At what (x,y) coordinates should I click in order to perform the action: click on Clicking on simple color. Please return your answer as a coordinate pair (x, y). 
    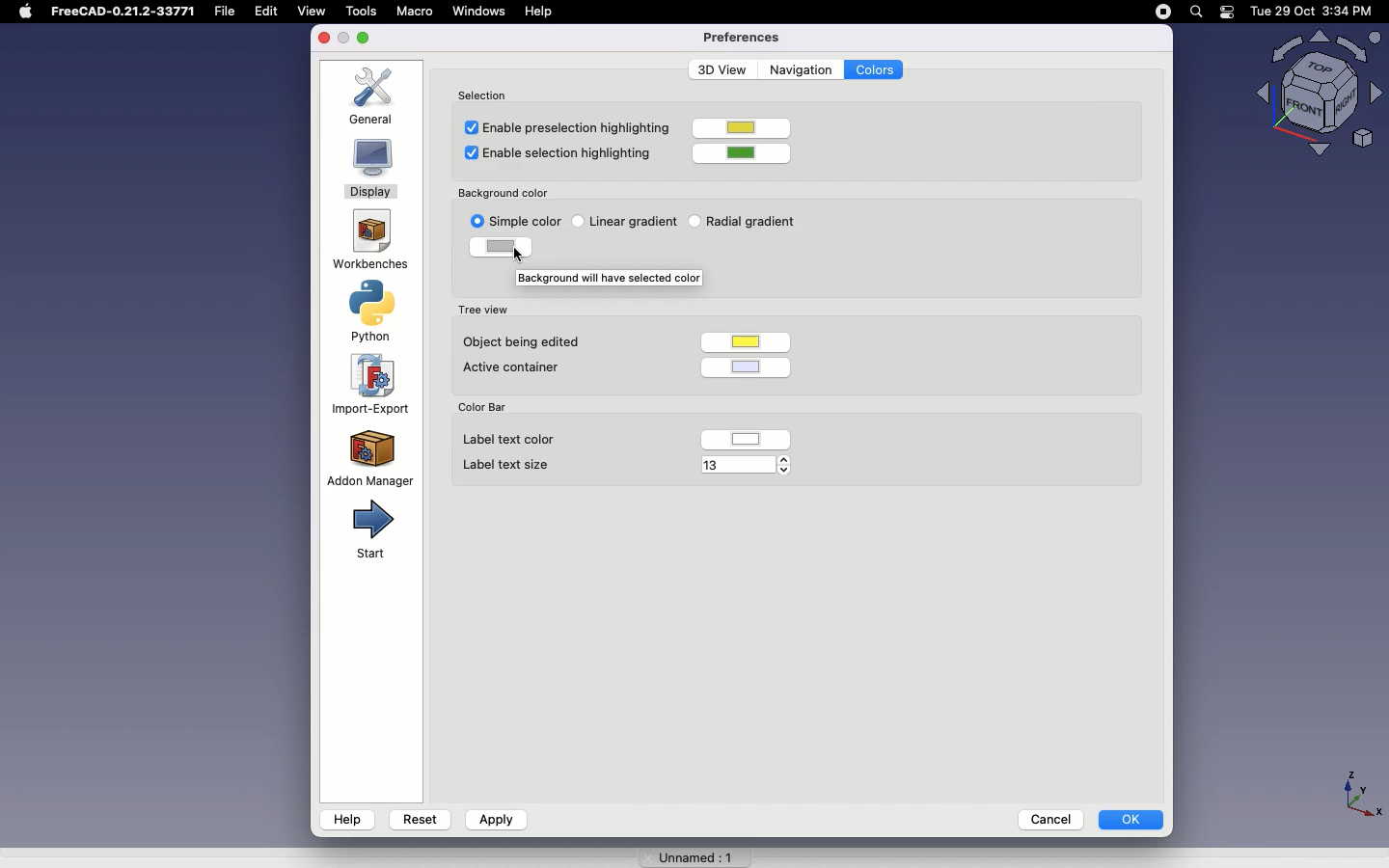
    Looking at the image, I should click on (524, 223).